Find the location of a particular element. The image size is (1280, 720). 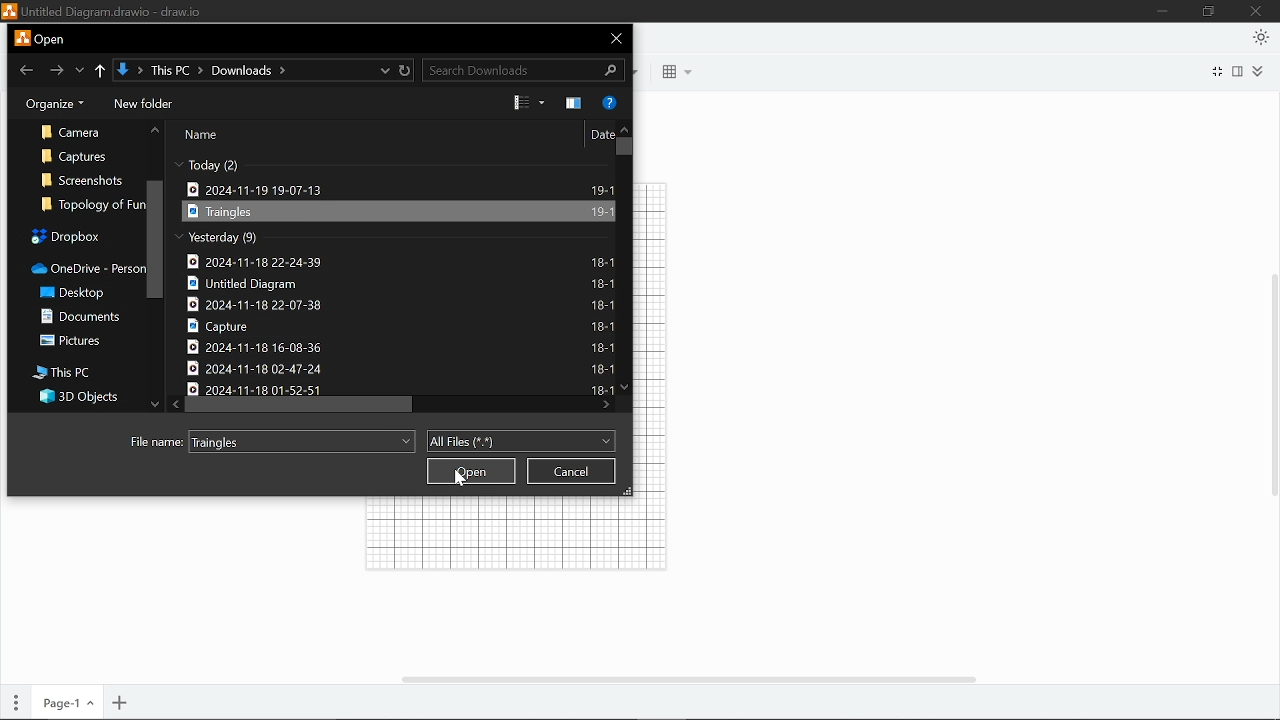

File name is located at coordinates (158, 442).